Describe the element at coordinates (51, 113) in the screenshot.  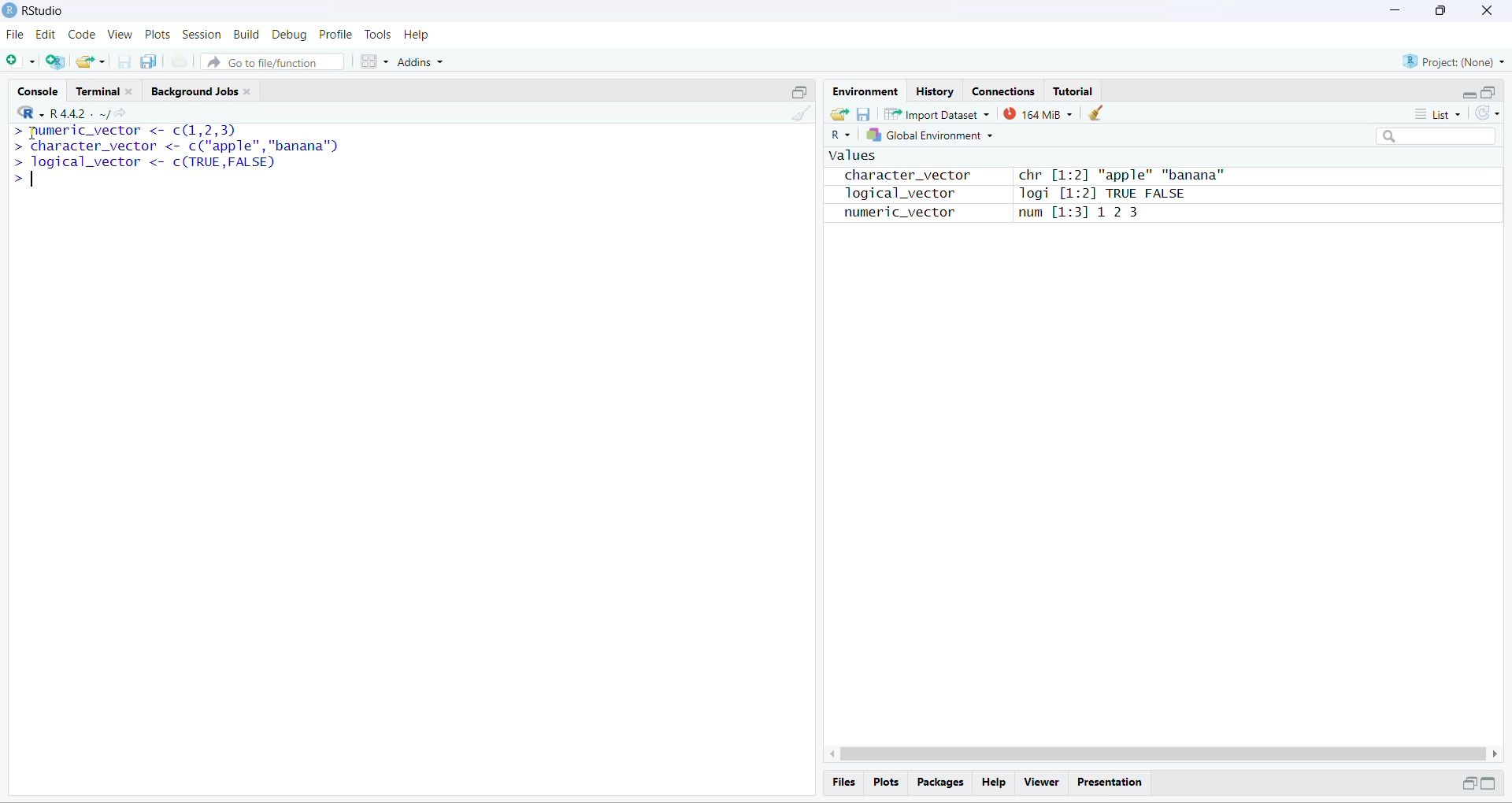
I see `"R442` at that location.